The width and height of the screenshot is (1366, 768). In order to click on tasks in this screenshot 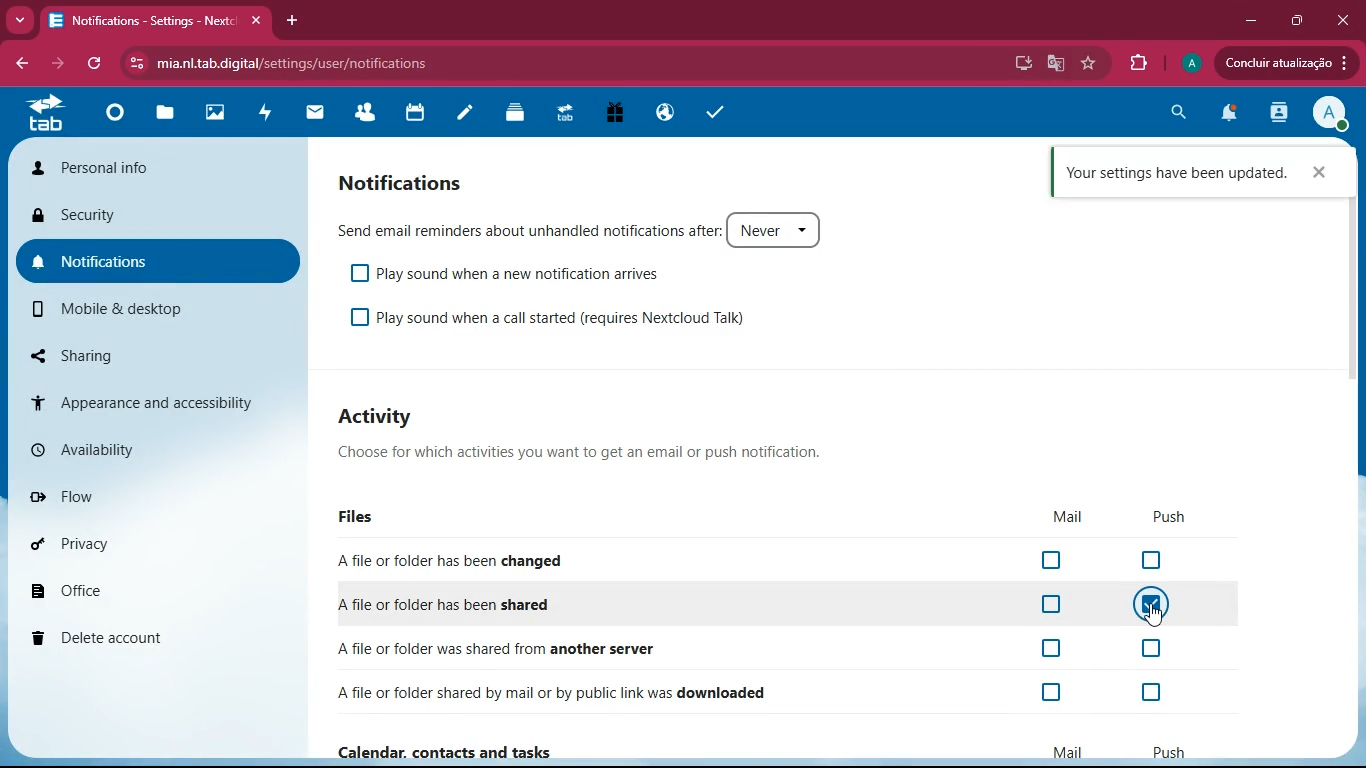, I will do `click(715, 111)`.